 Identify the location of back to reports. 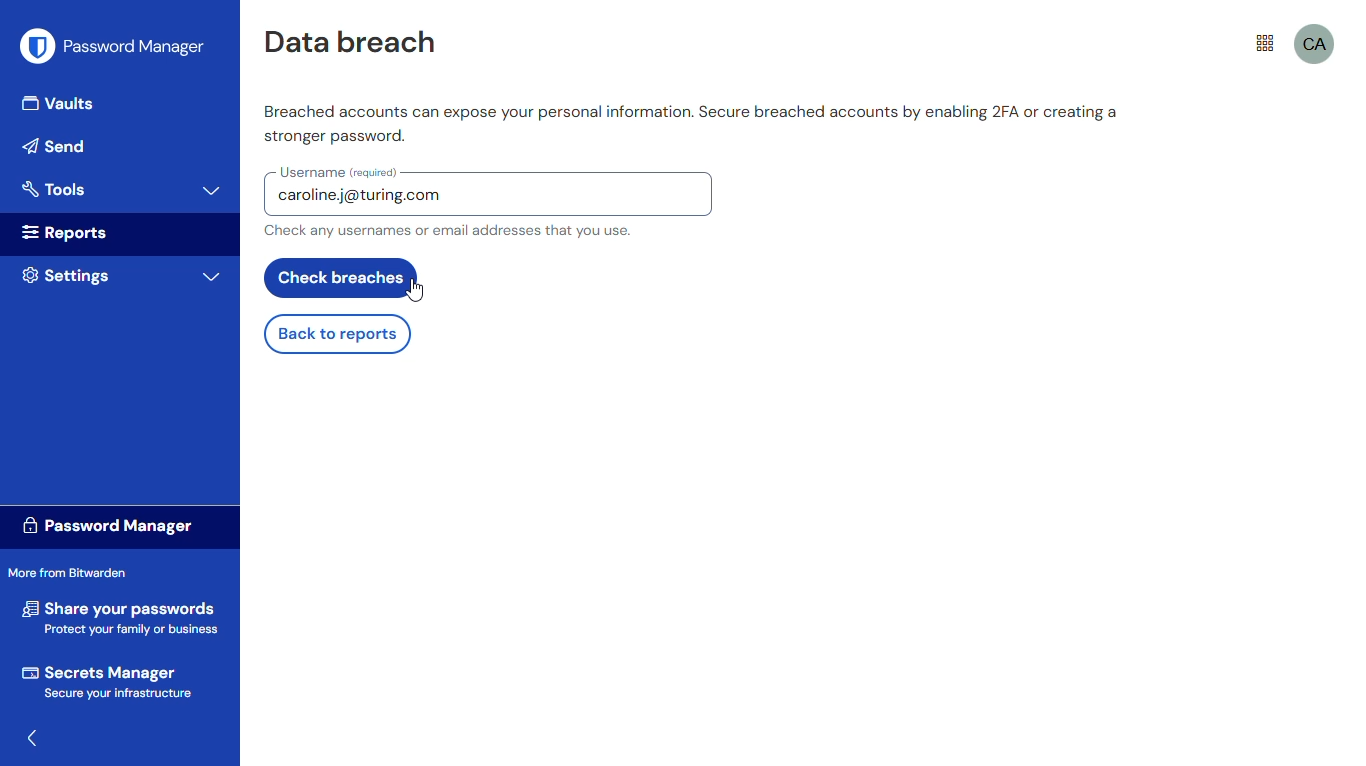
(336, 335).